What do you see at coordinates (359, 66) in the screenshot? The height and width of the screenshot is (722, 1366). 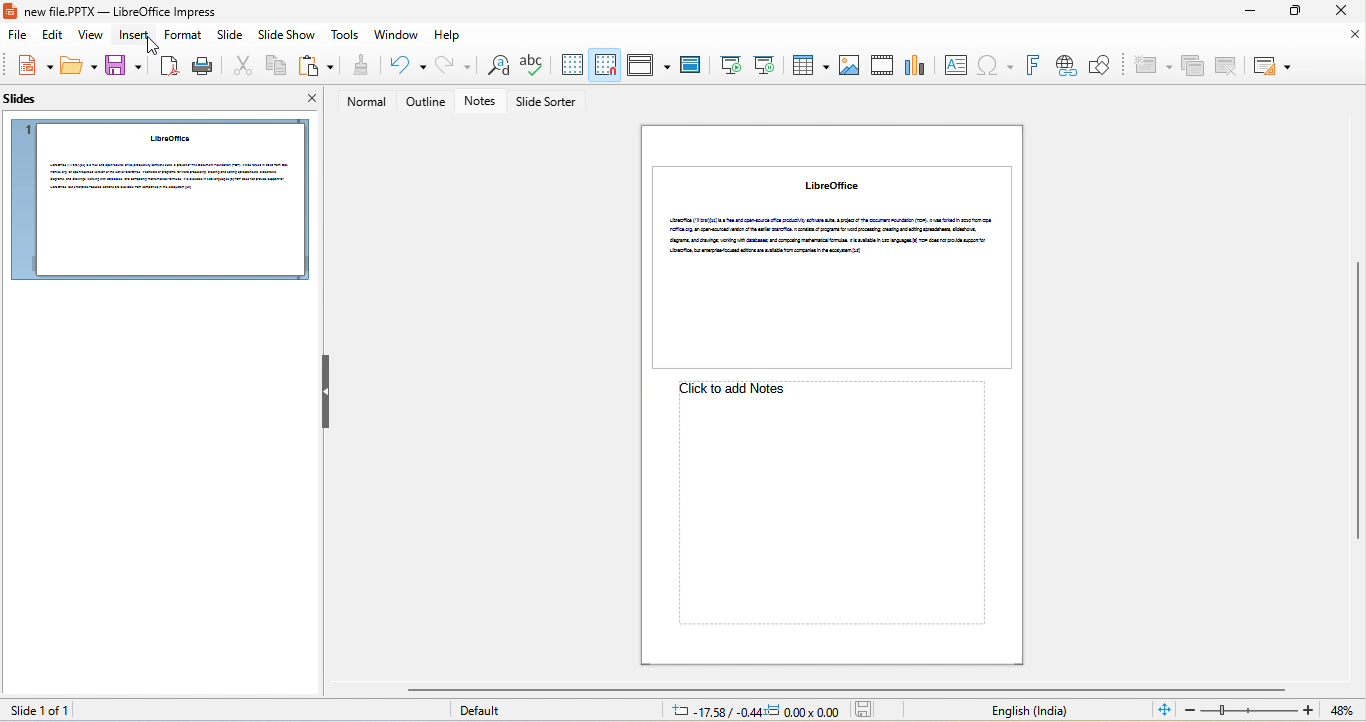 I see `clone formatting` at bounding box center [359, 66].